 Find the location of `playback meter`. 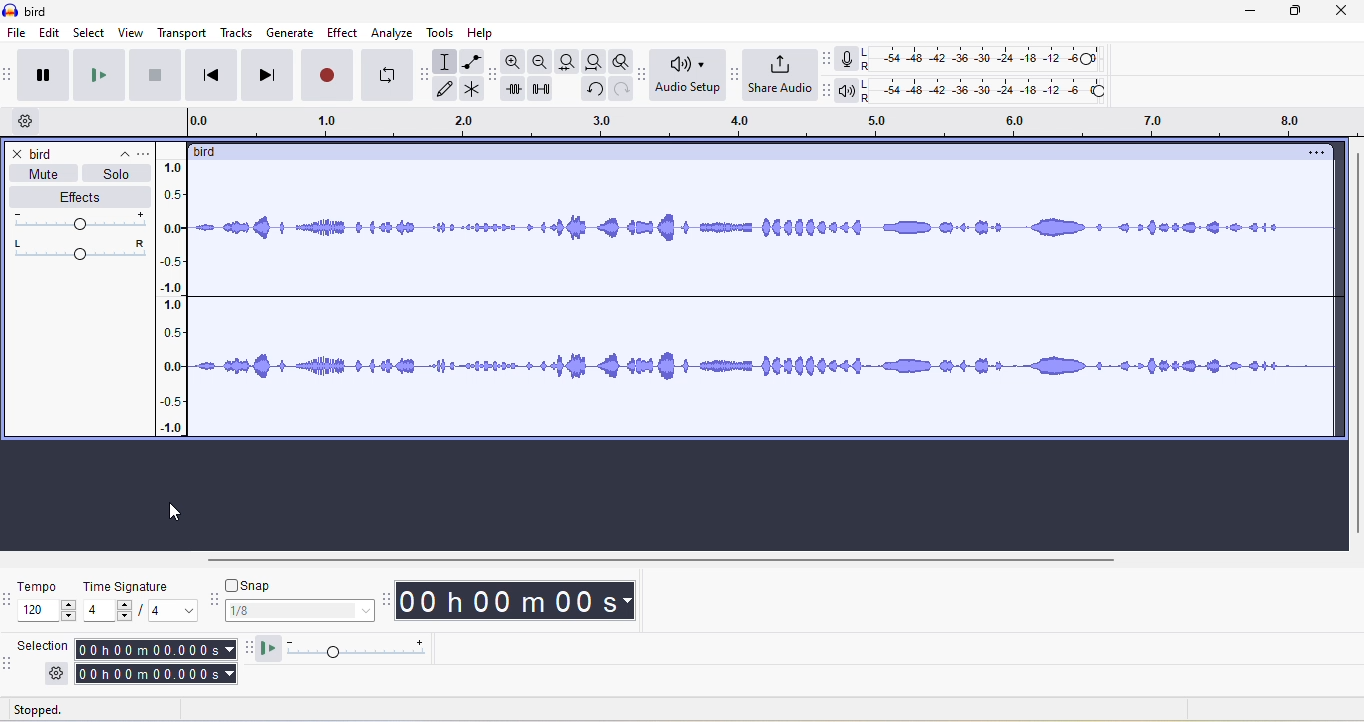

playback meter is located at coordinates (847, 92).